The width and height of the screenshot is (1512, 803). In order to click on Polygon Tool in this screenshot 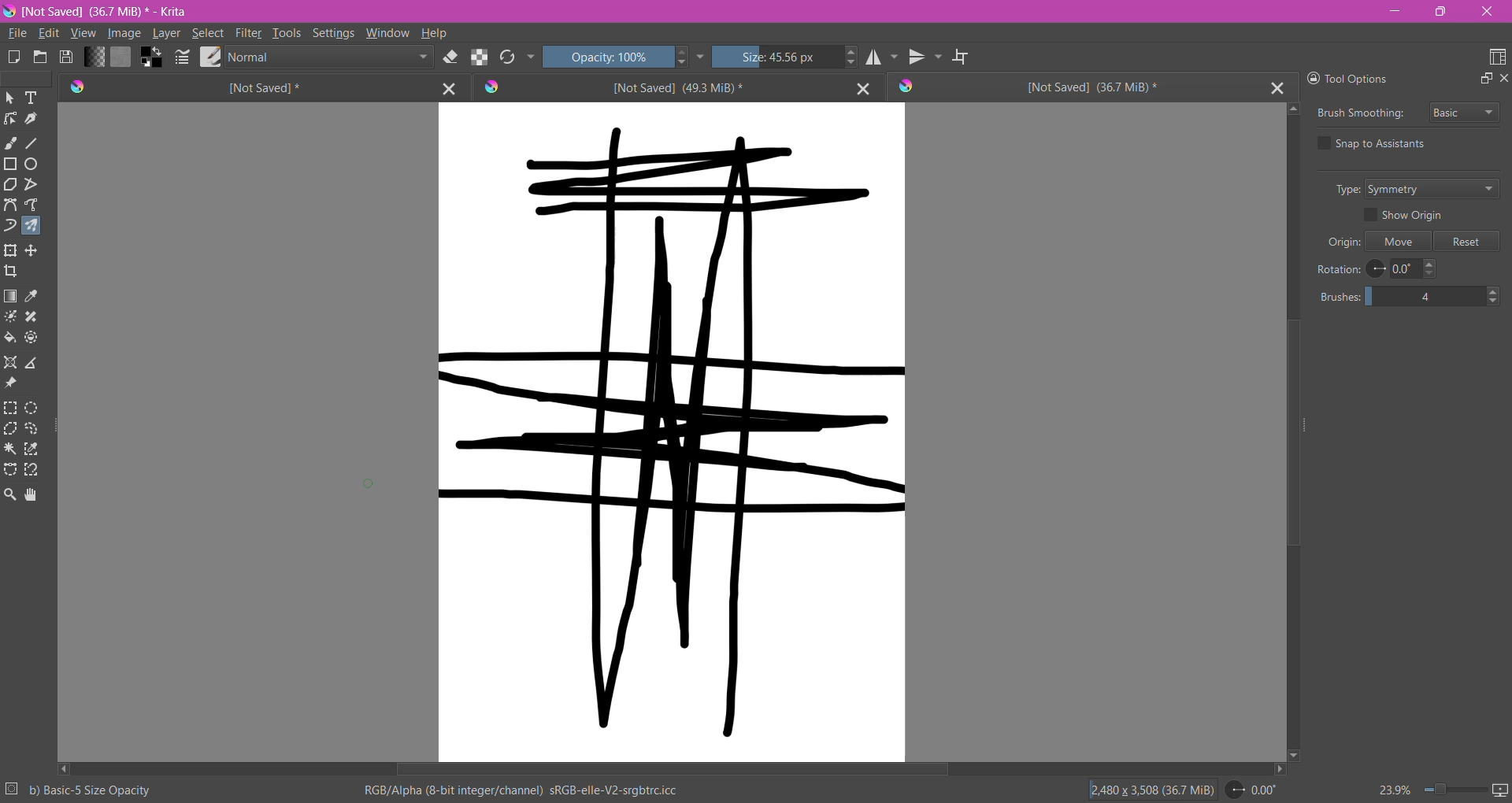, I will do `click(10, 185)`.